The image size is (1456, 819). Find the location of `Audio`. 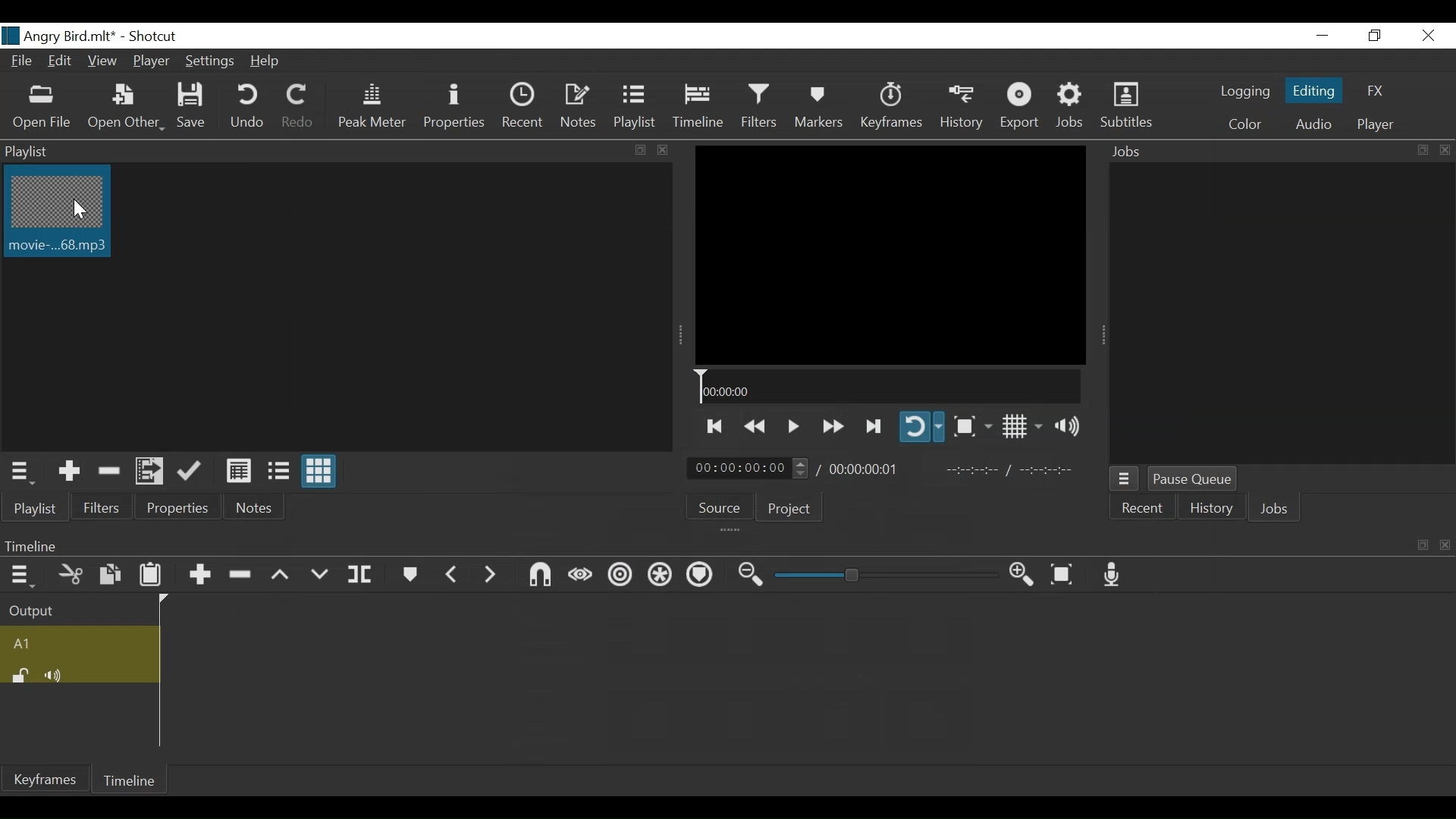

Audio is located at coordinates (1313, 124).